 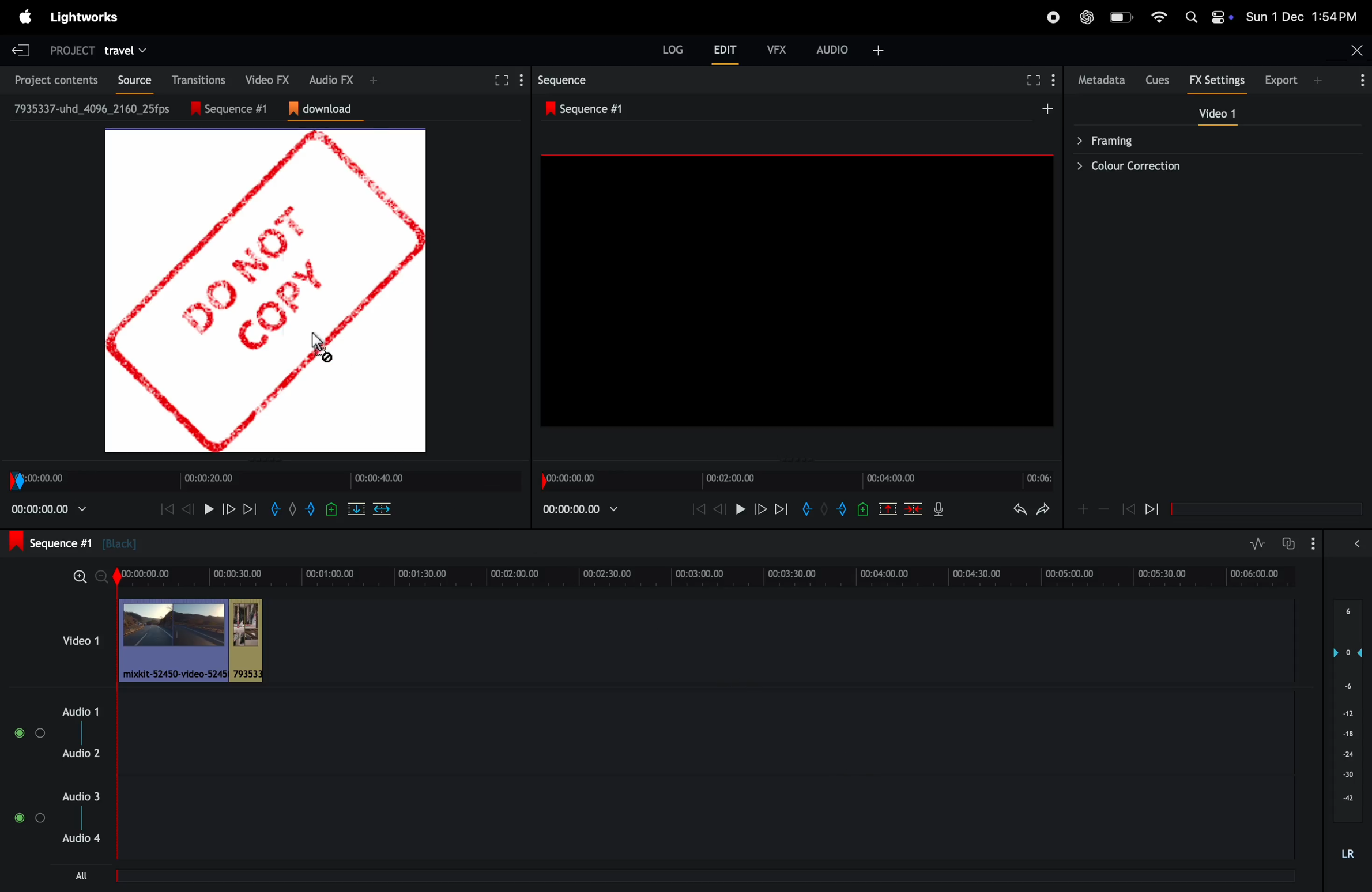 I want to click on audio fx, so click(x=331, y=79).